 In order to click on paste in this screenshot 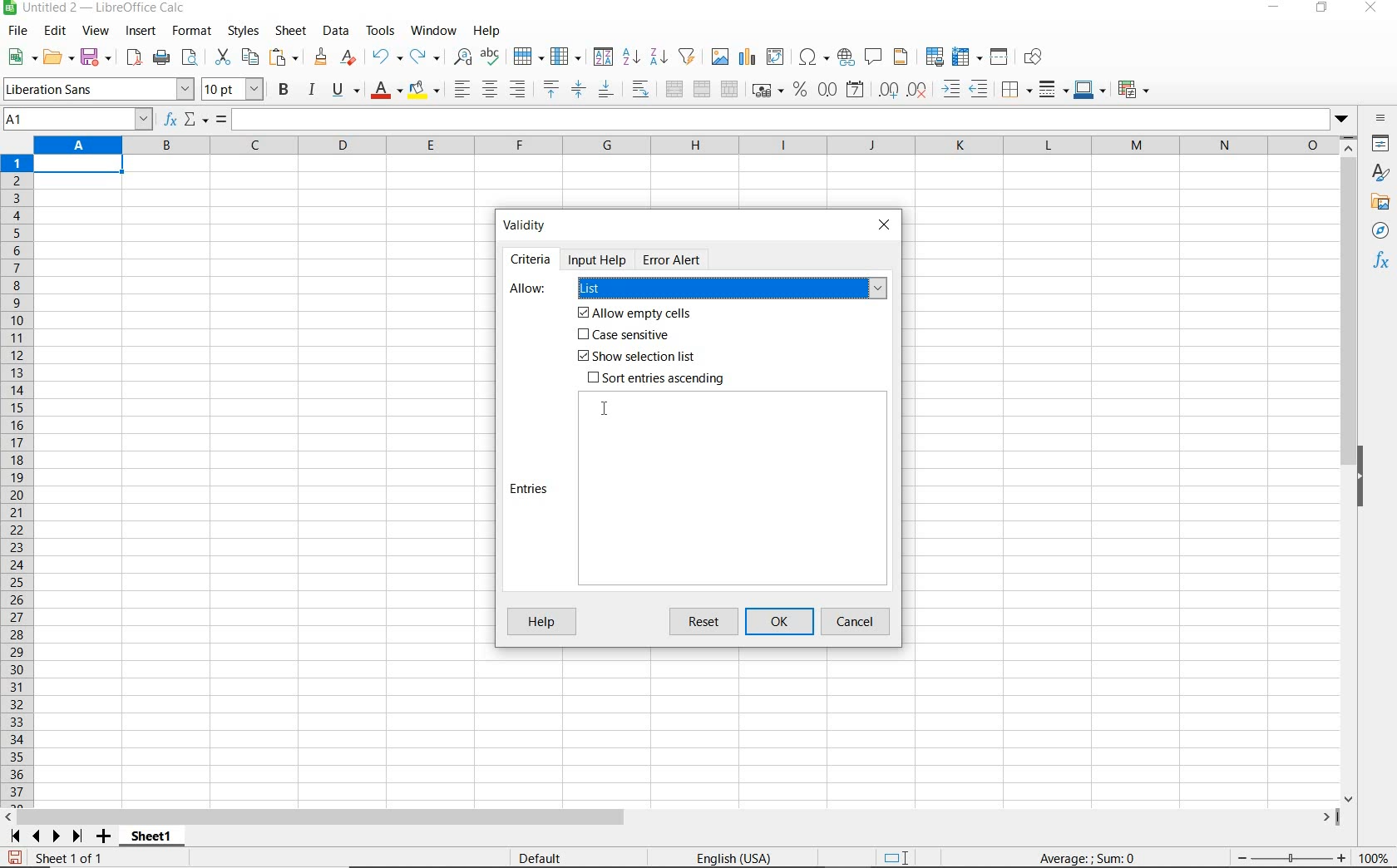, I will do `click(286, 59)`.